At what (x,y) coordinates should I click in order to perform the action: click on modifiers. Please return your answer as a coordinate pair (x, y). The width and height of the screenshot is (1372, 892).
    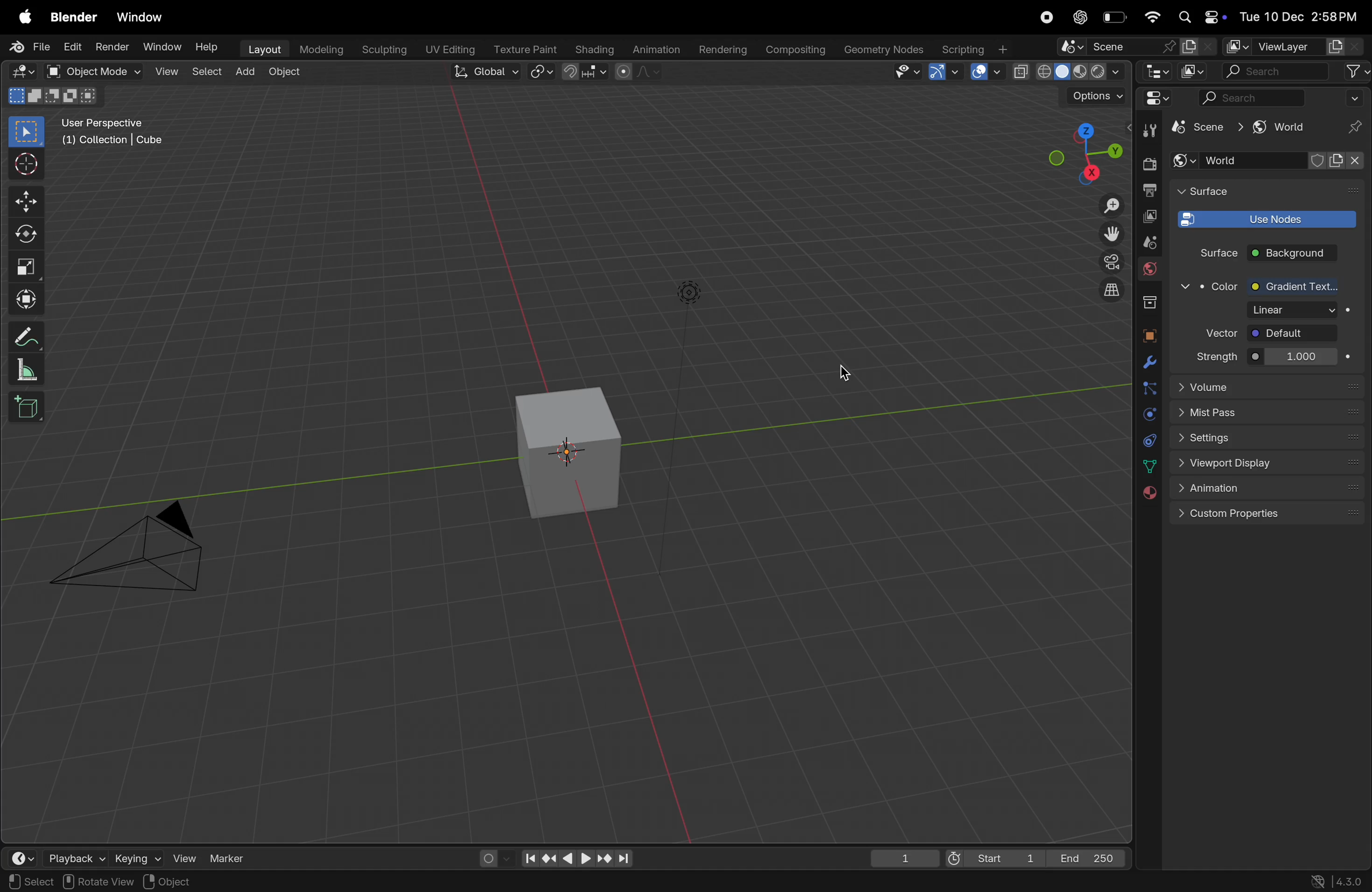
    Looking at the image, I should click on (1148, 362).